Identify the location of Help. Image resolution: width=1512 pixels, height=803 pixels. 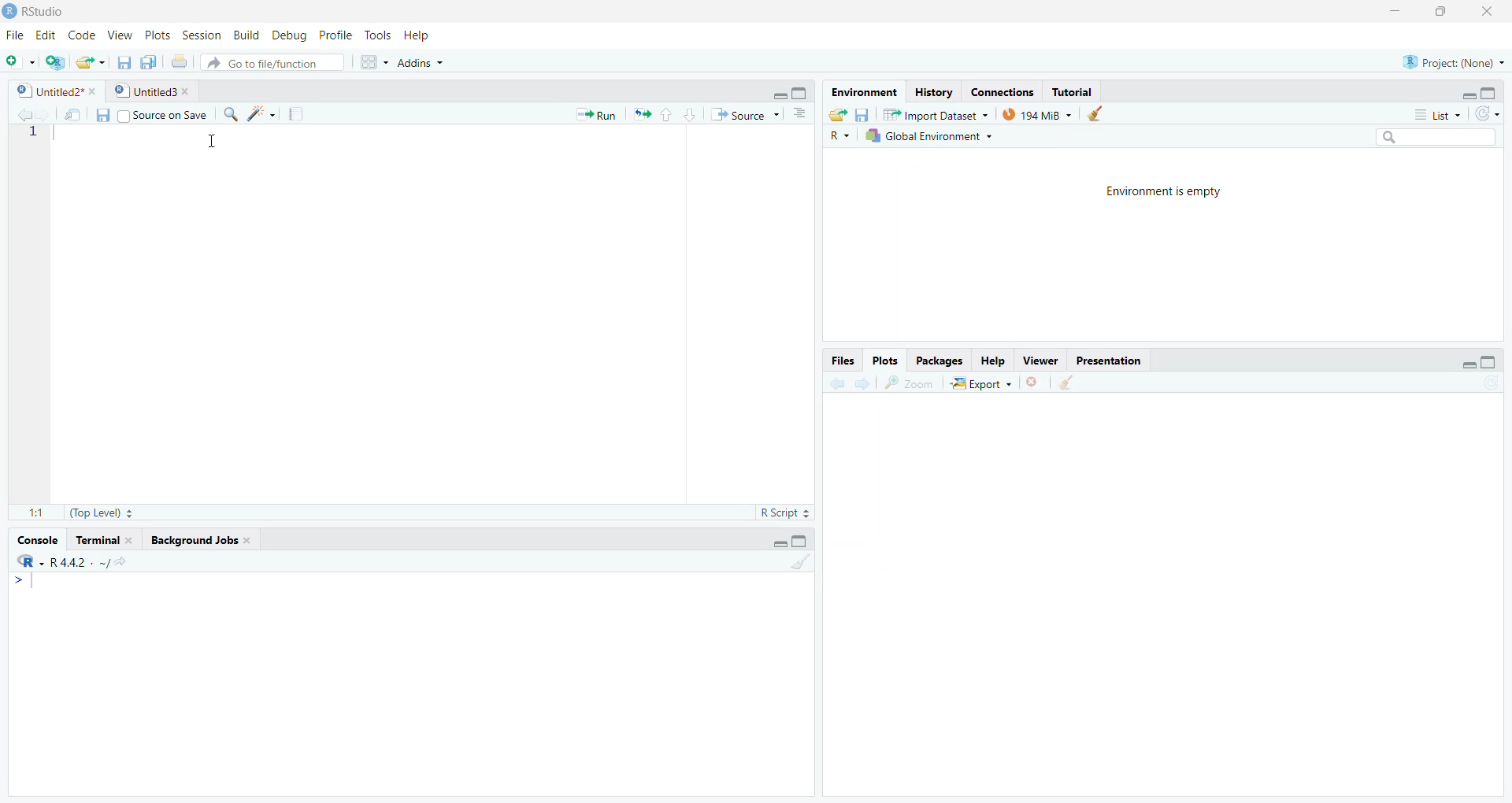
(416, 35).